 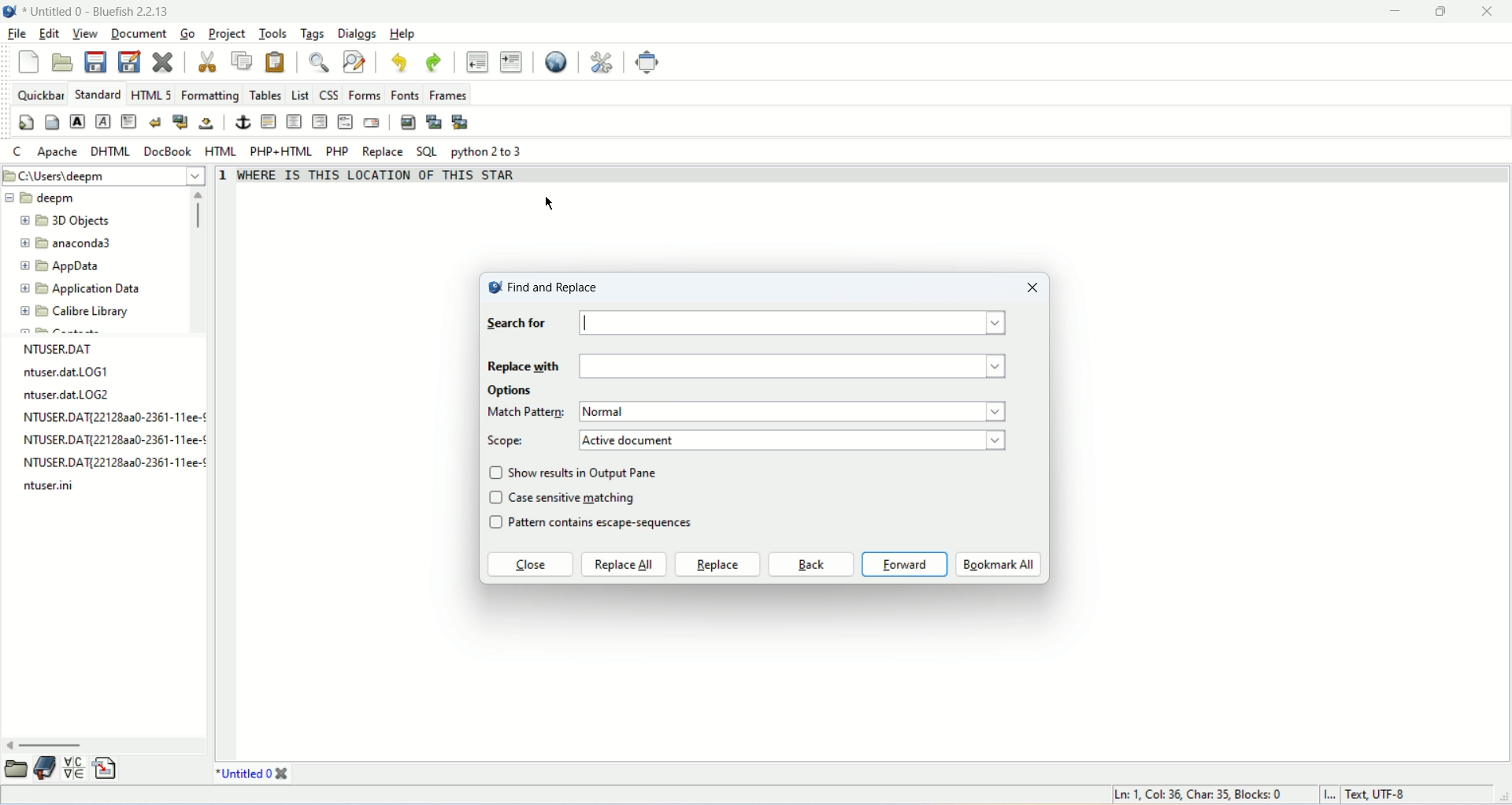 What do you see at coordinates (434, 63) in the screenshot?
I see `redo` at bounding box center [434, 63].